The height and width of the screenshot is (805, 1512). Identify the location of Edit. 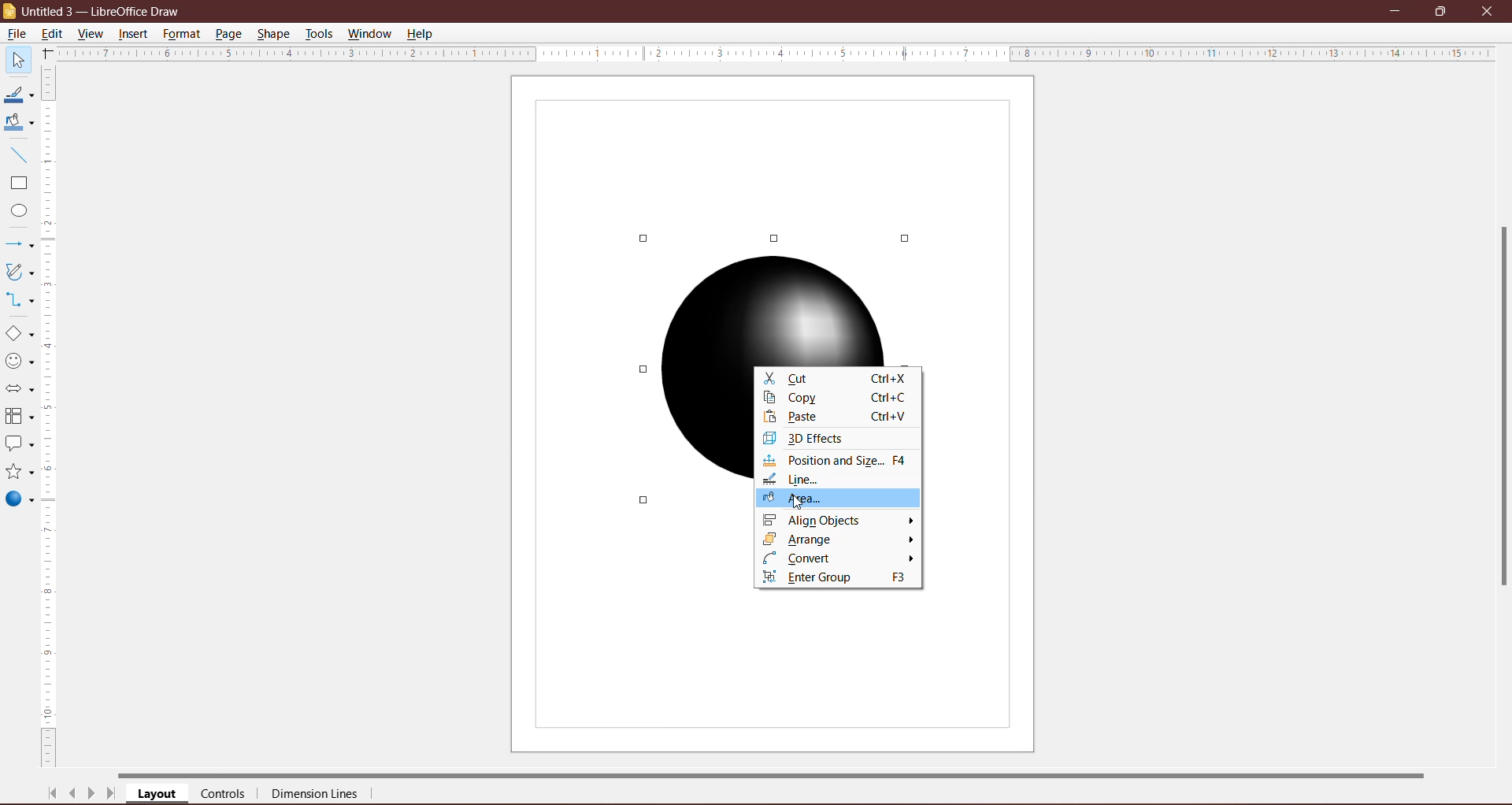
(55, 32).